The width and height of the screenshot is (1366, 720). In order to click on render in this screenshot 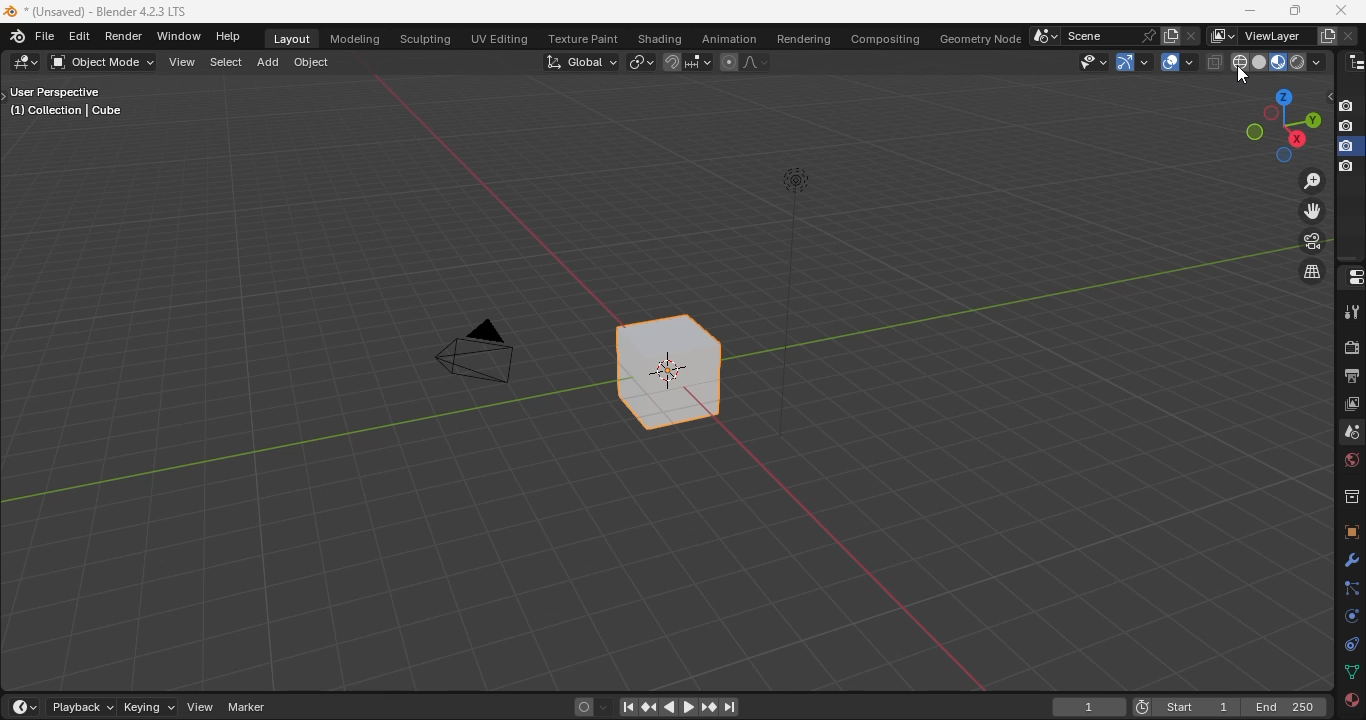, I will do `click(125, 35)`.